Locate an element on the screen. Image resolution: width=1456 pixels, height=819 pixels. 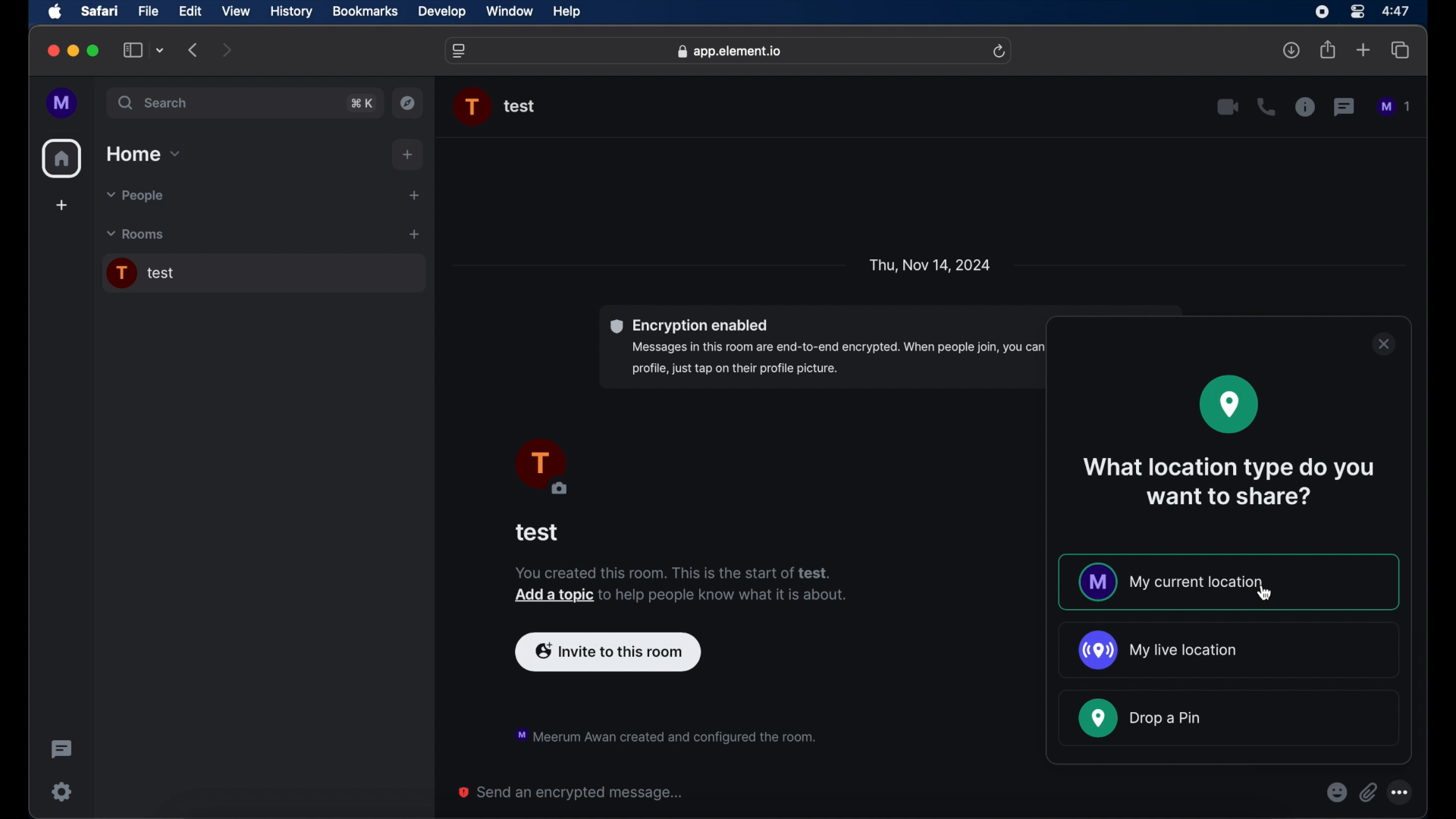
share is located at coordinates (1327, 50).